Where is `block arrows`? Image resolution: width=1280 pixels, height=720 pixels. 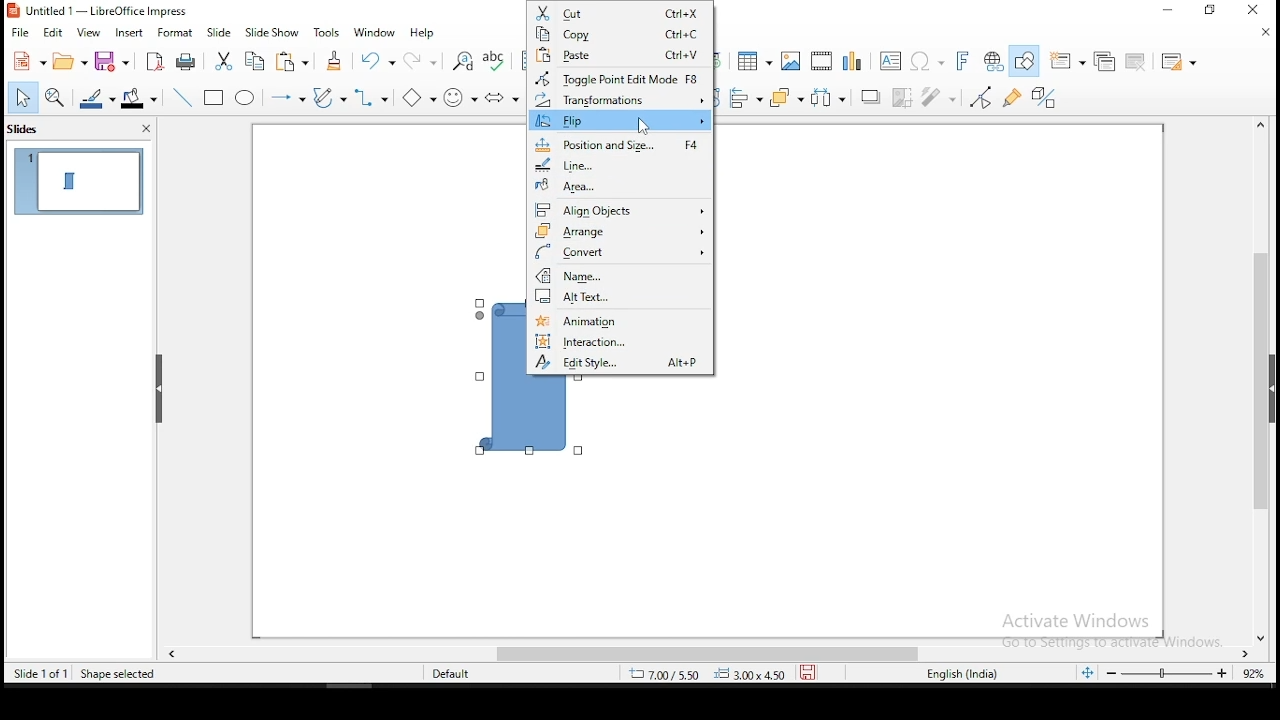 block arrows is located at coordinates (499, 98).